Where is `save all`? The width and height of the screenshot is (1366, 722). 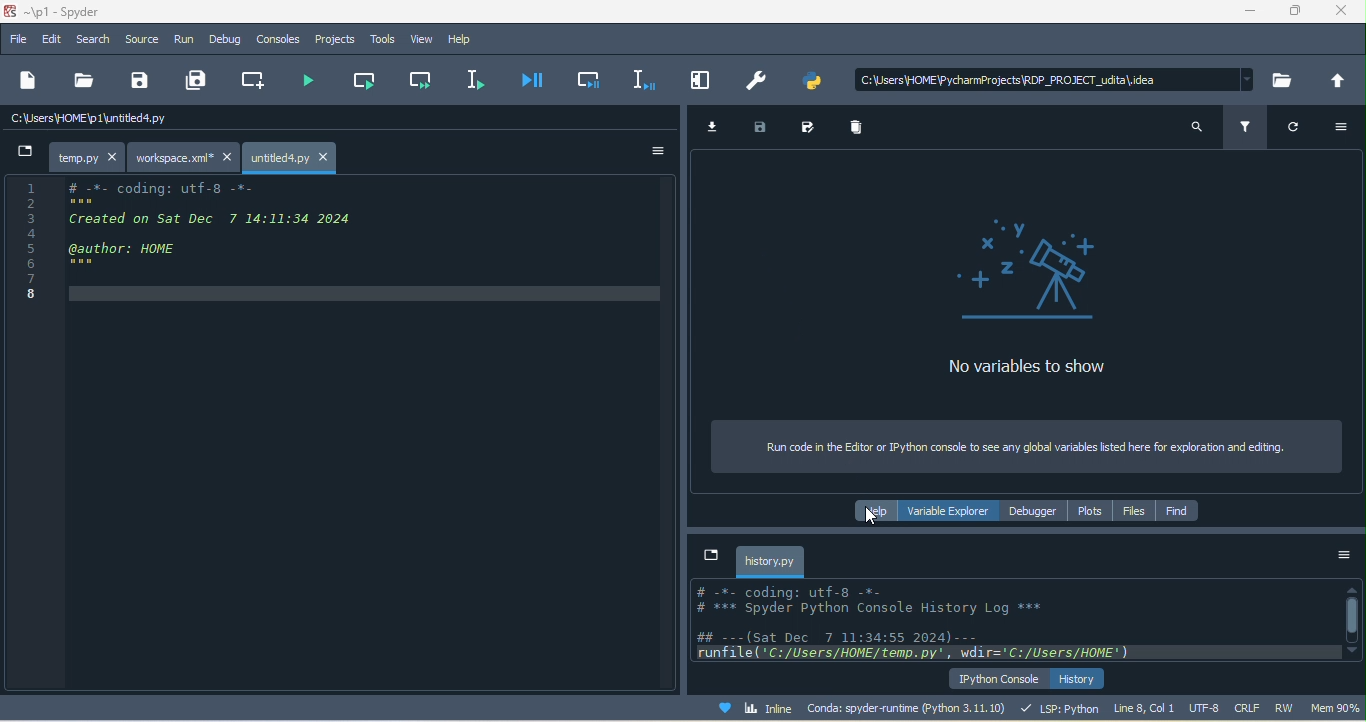 save all is located at coordinates (192, 81).